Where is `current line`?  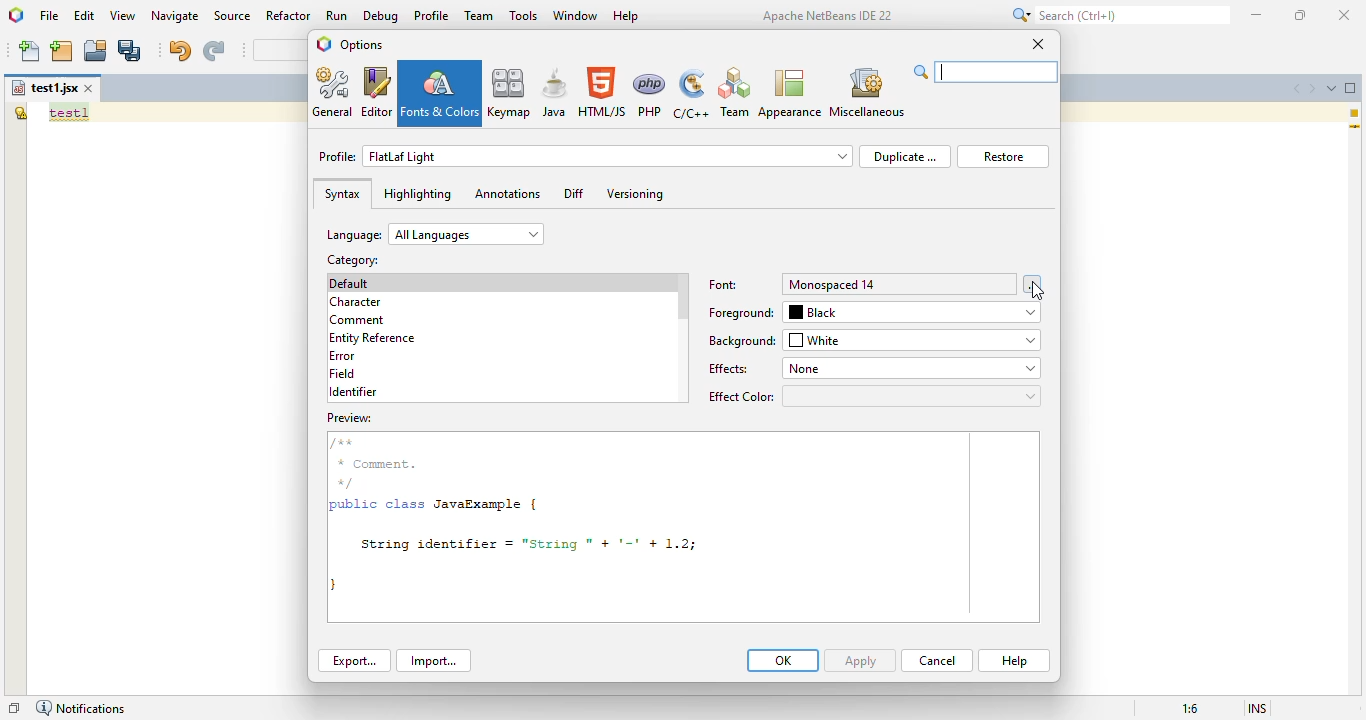 current line is located at coordinates (1355, 128).